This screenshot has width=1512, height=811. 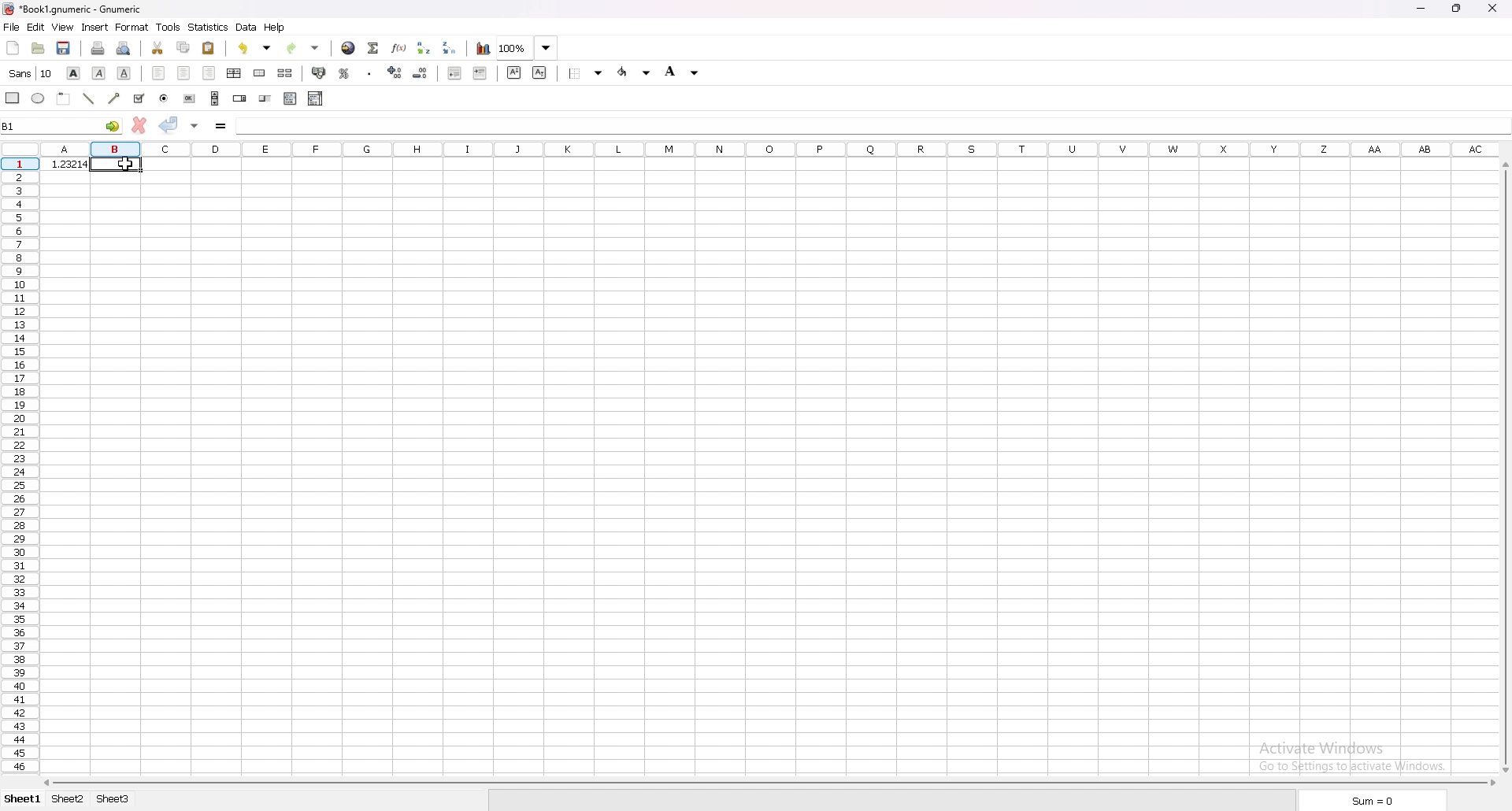 What do you see at coordinates (480, 74) in the screenshot?
I see `increase indent` at bounding box center [480, 74].